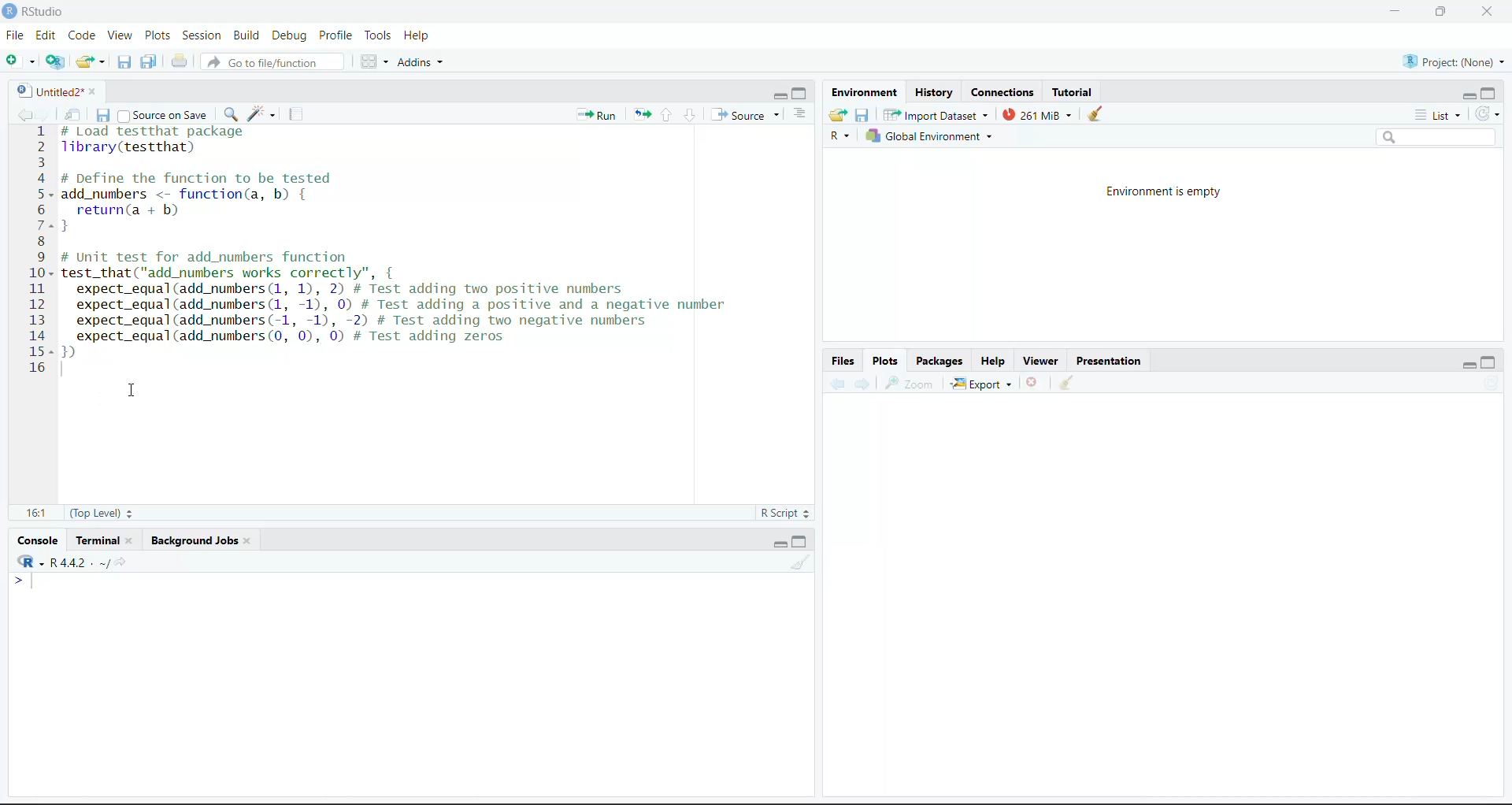 This screenshot has height=805, width=1512. Describe the element at coordinates (421, 61) in the screenshot. I see `Addins` at that location.